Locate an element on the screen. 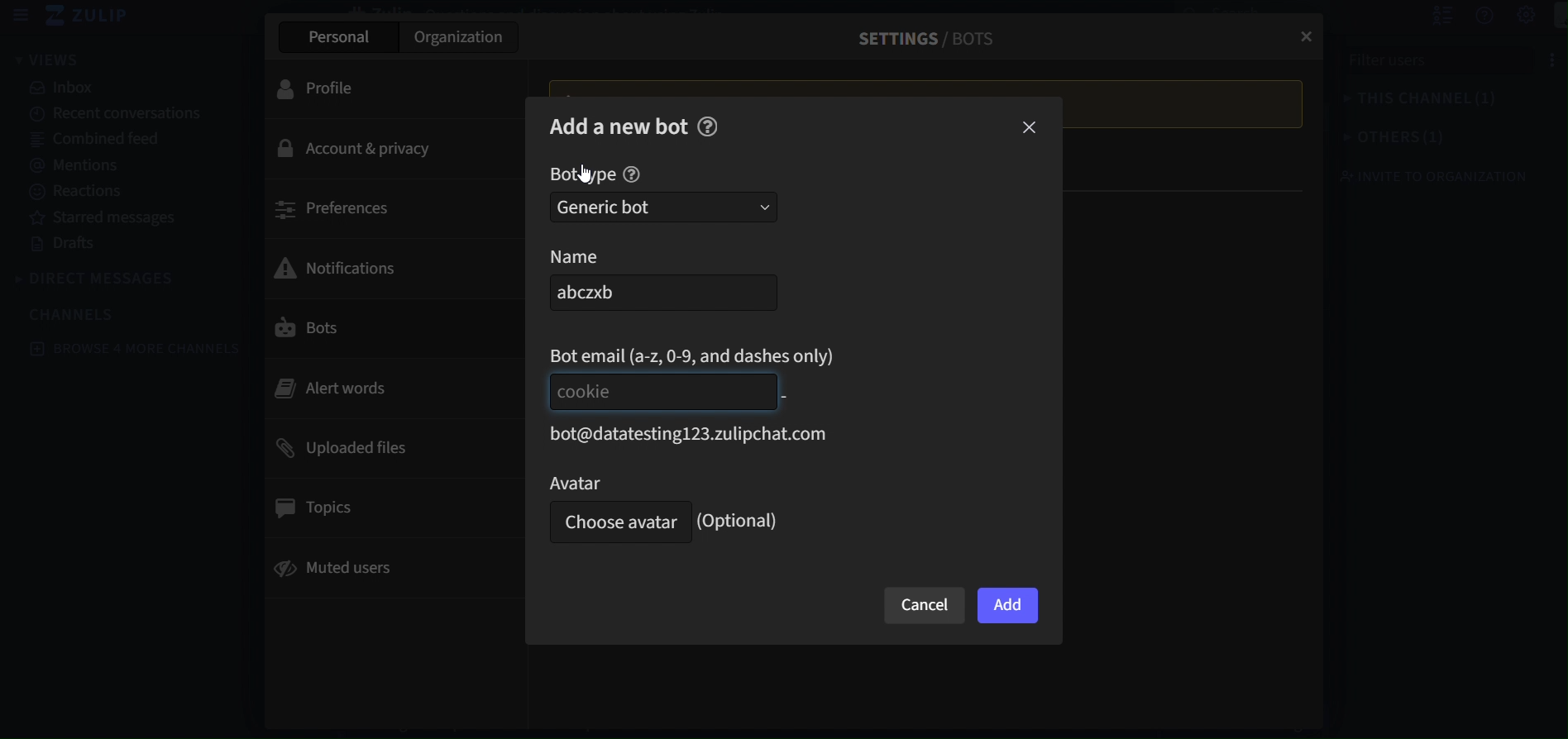  topics is located at coordinates (383, 508).